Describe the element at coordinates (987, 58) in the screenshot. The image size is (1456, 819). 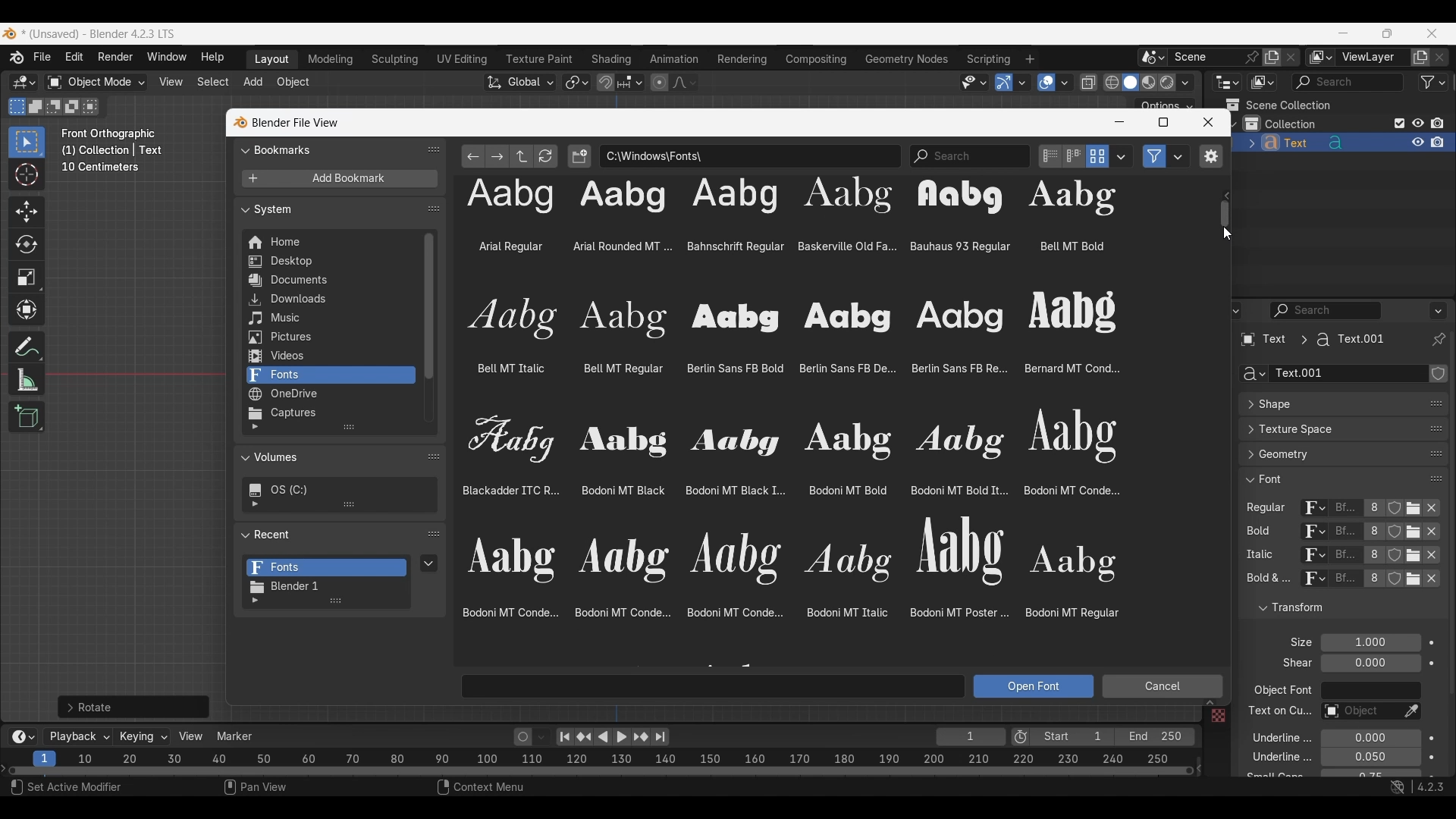
I see `Scripting workspace` at that location.